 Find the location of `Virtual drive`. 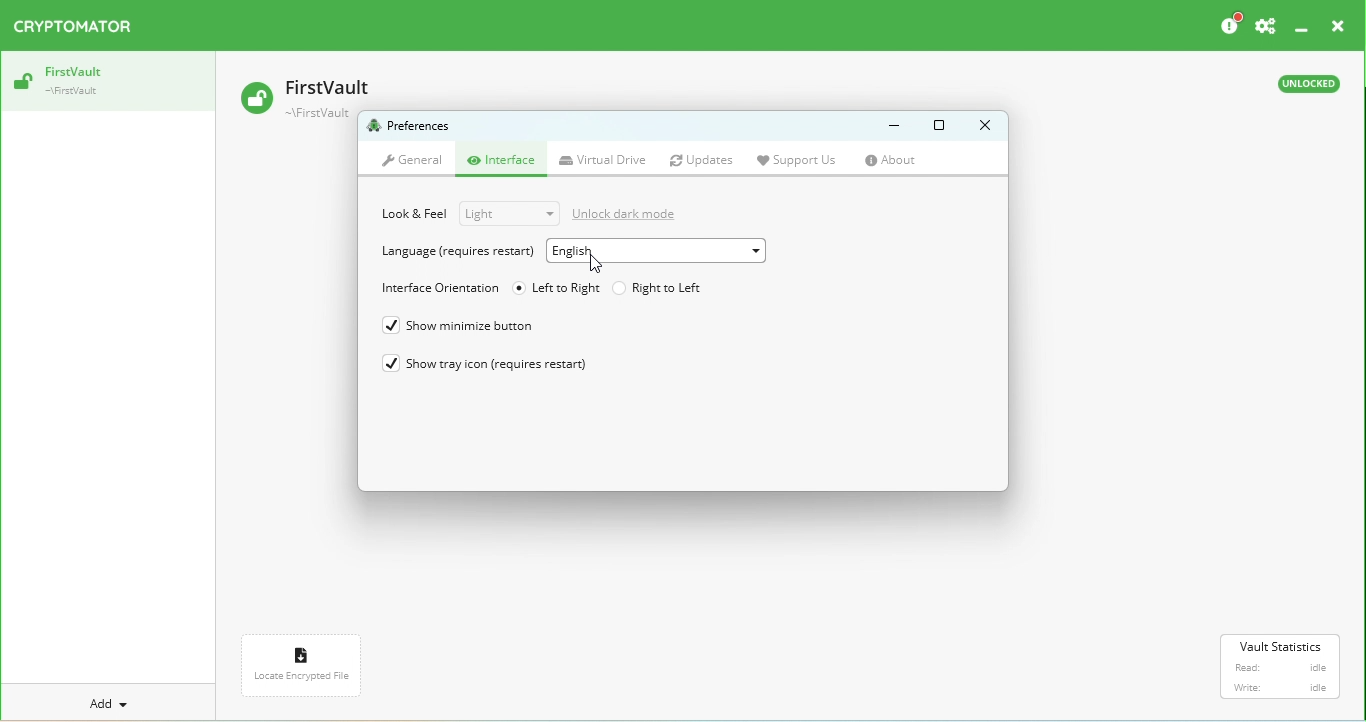

Virtual drive is located at coordinates (605, 161).